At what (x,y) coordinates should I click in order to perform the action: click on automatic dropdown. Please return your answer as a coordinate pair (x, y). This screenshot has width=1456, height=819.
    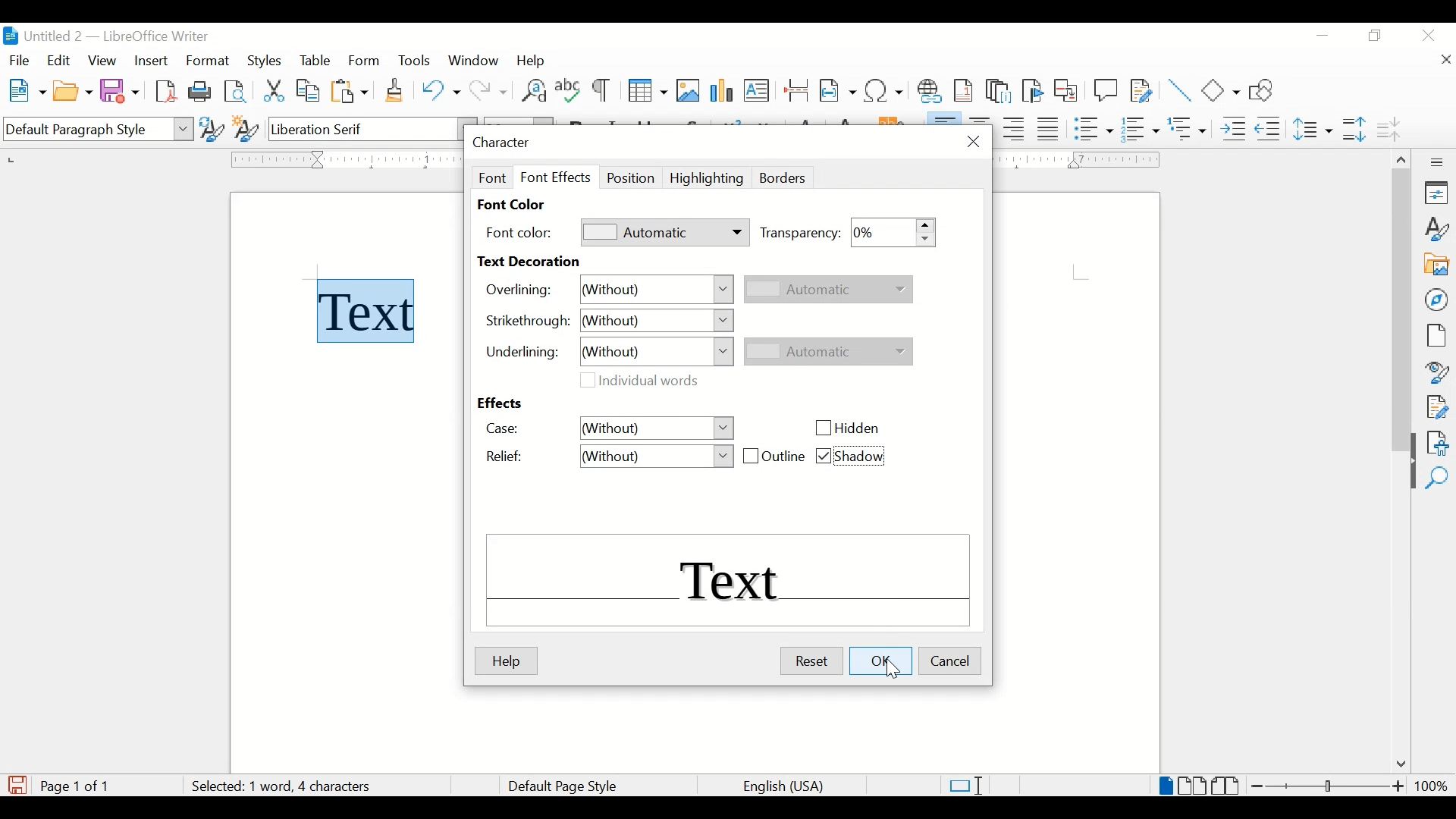
    Looking at the image, I should click on (666, 233).